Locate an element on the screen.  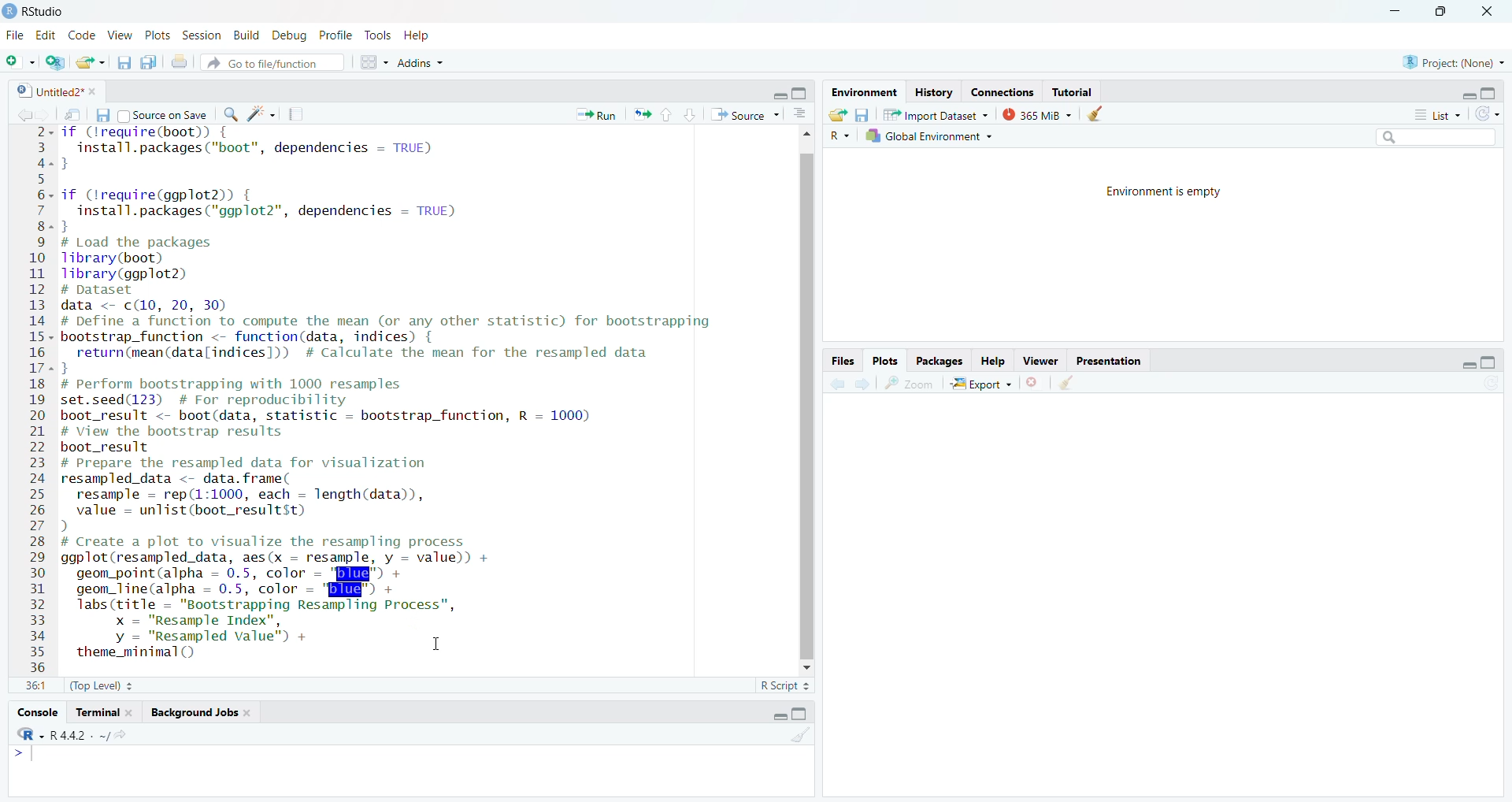
cursor is located at coordinates (432, 641).